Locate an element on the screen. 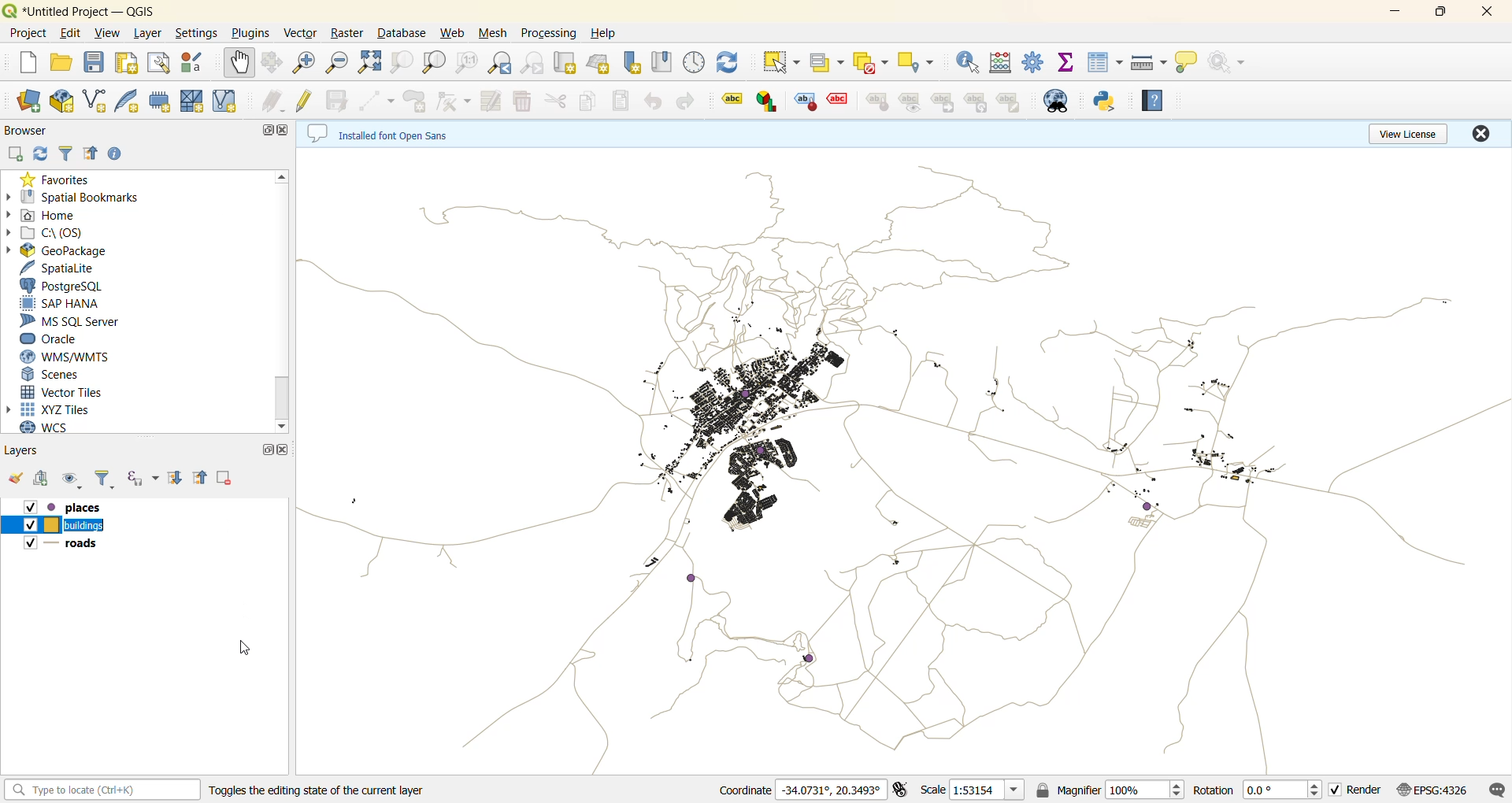  home is located at coordinates (56, 216).